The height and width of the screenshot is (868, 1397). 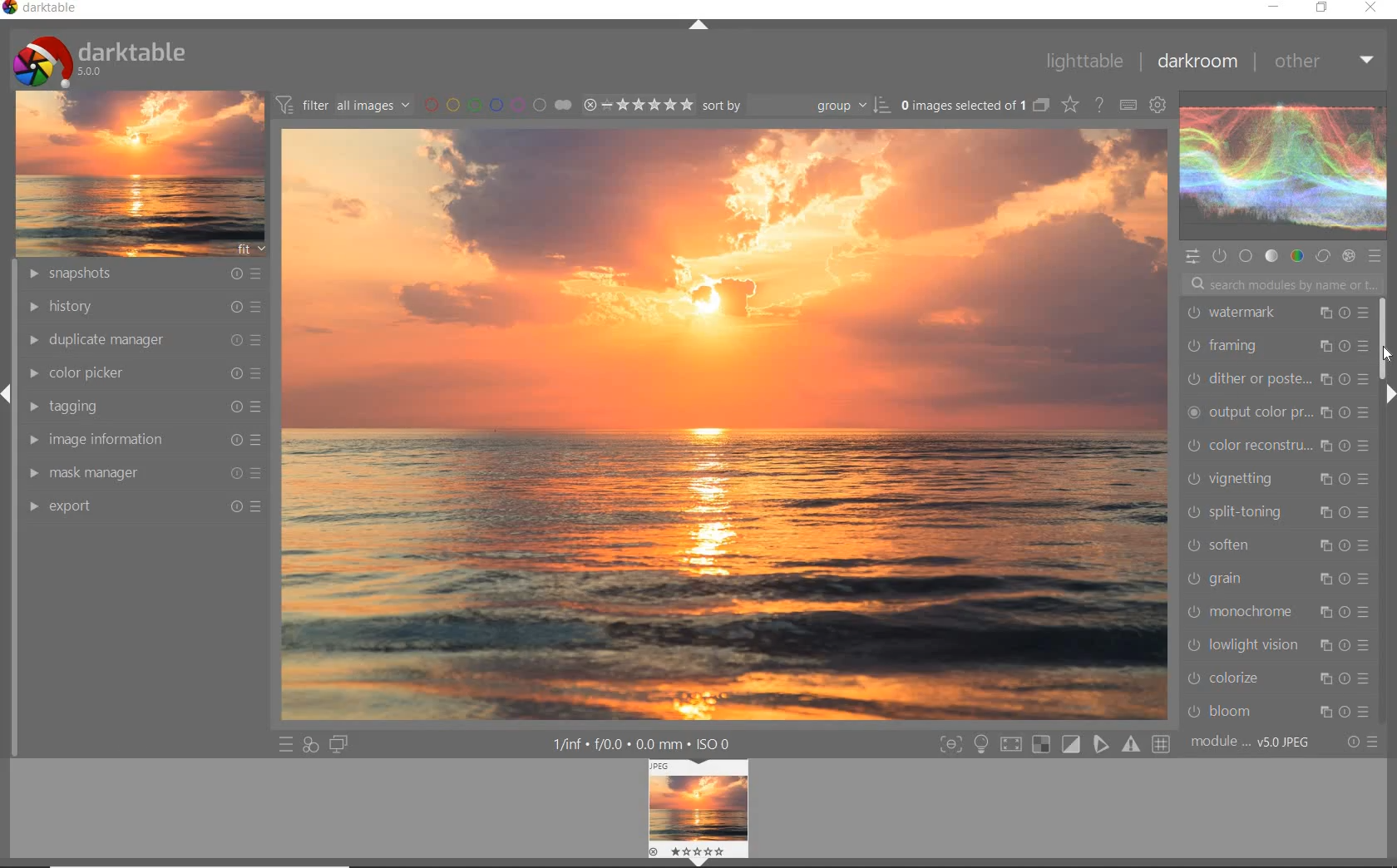 What do you see at coordinates (1276, 6) in the screenshot?
I see `minimize` at bounding box center [1276, 6].